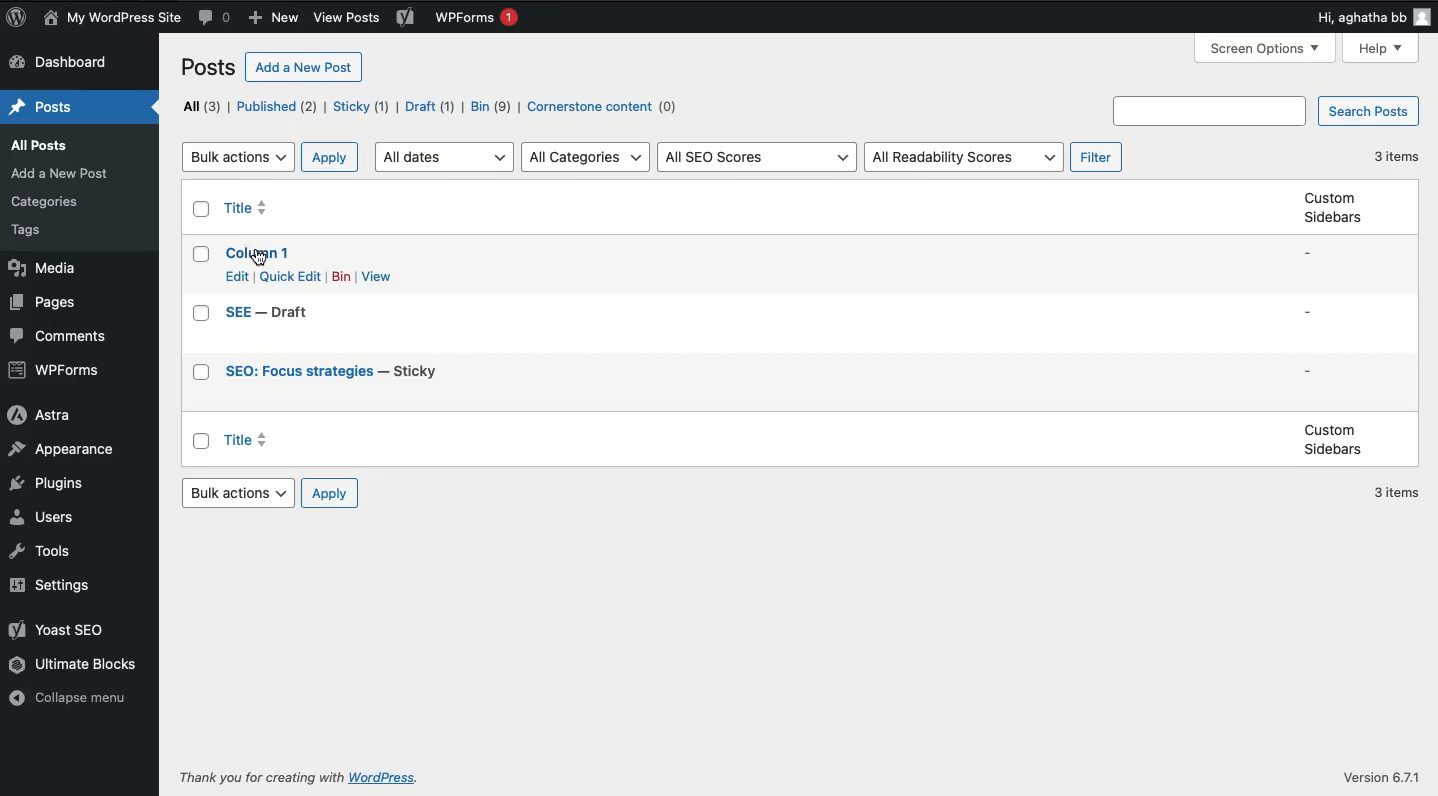 This screenshot has height=796, width=1438. I want to click on Sticky, so click(361, 108).